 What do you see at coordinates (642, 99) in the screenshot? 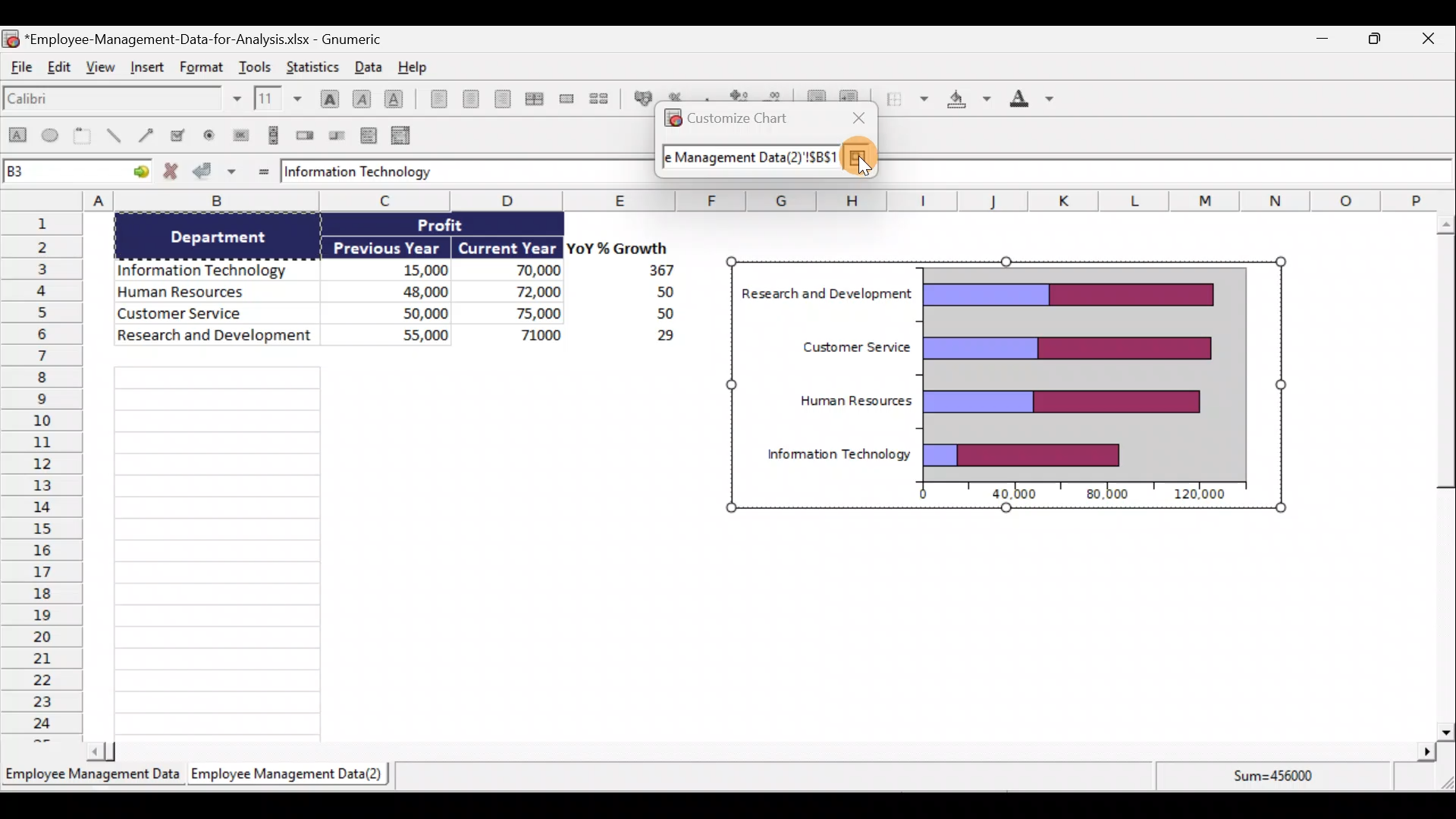
I see `Format the selection as accounting` at bounding box center [642, 99].